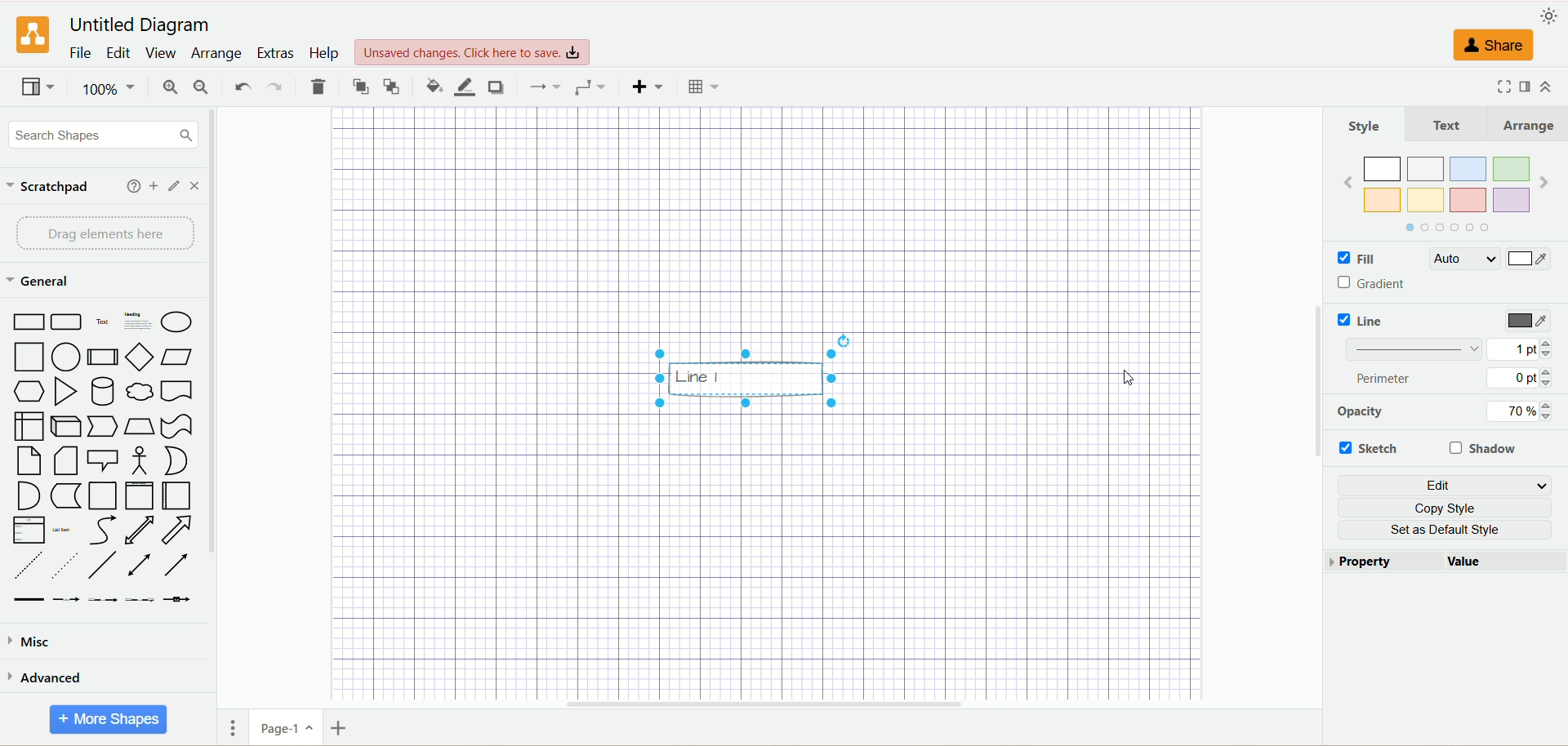 The height and width of the screenshot is (746, 1568). I want to click on Diamond, so click(138, 357).